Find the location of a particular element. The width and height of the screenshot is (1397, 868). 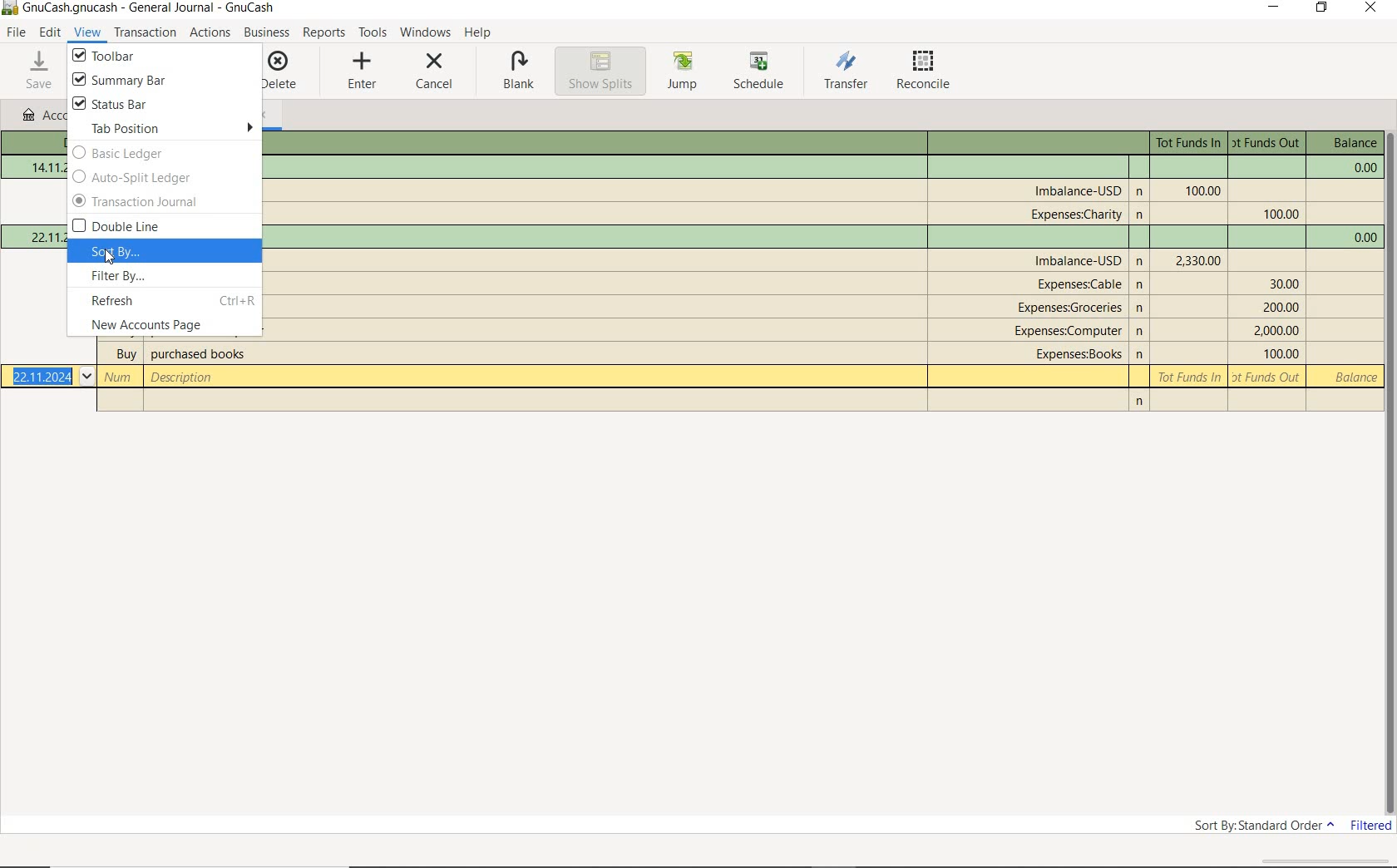

account is located at coordinates (1076, 215).